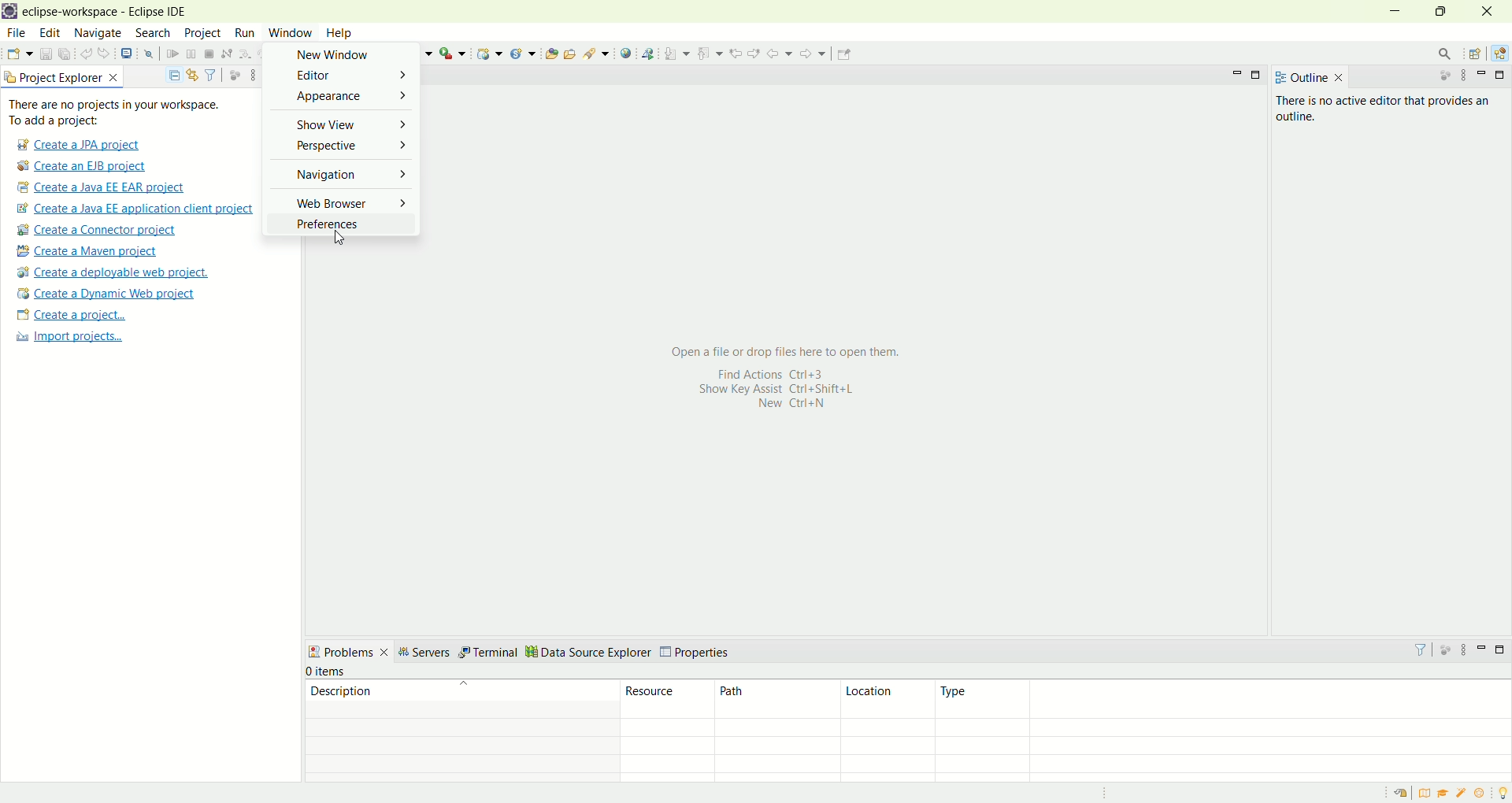  Describe the element at coordinates (245, 52) in the screenshot. I see `step into` at that location.